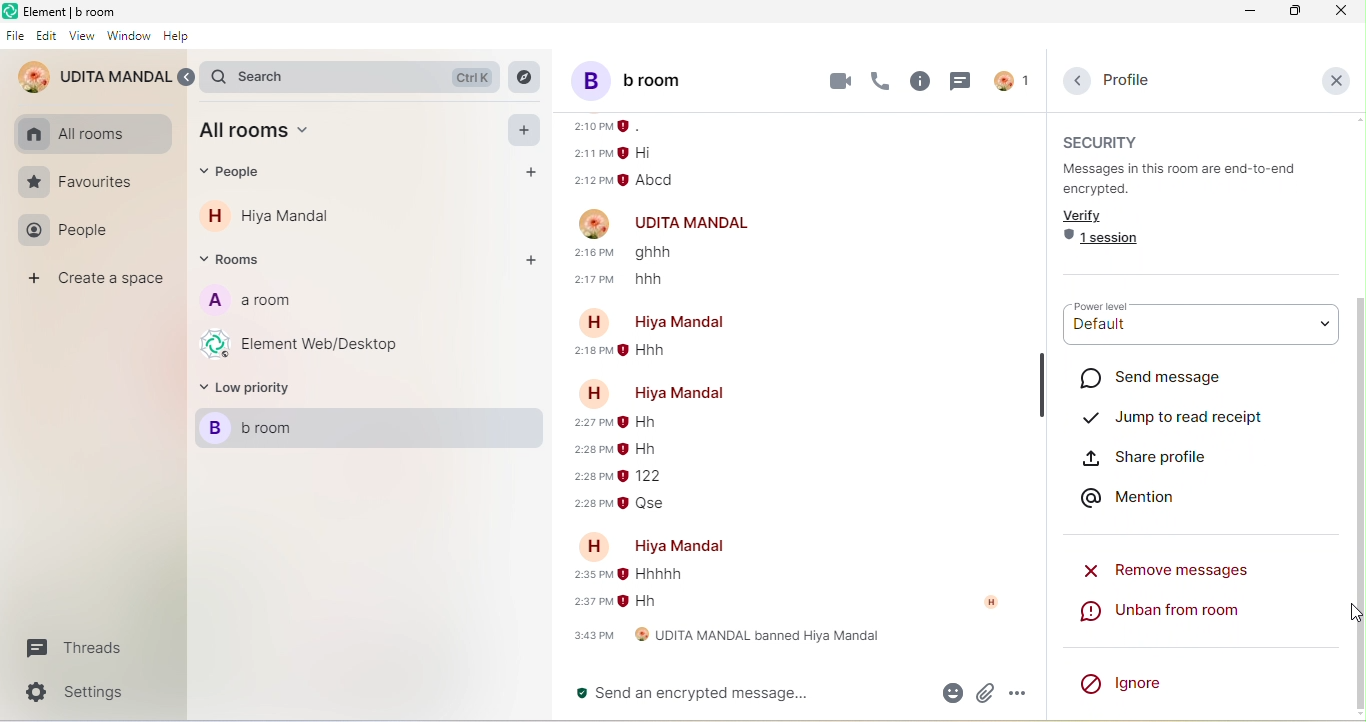 The width and height of the screenshot is (1366, 722). Describe the element at coordinates (1105, 242) in the screenshot. I see `1 session` at that location.